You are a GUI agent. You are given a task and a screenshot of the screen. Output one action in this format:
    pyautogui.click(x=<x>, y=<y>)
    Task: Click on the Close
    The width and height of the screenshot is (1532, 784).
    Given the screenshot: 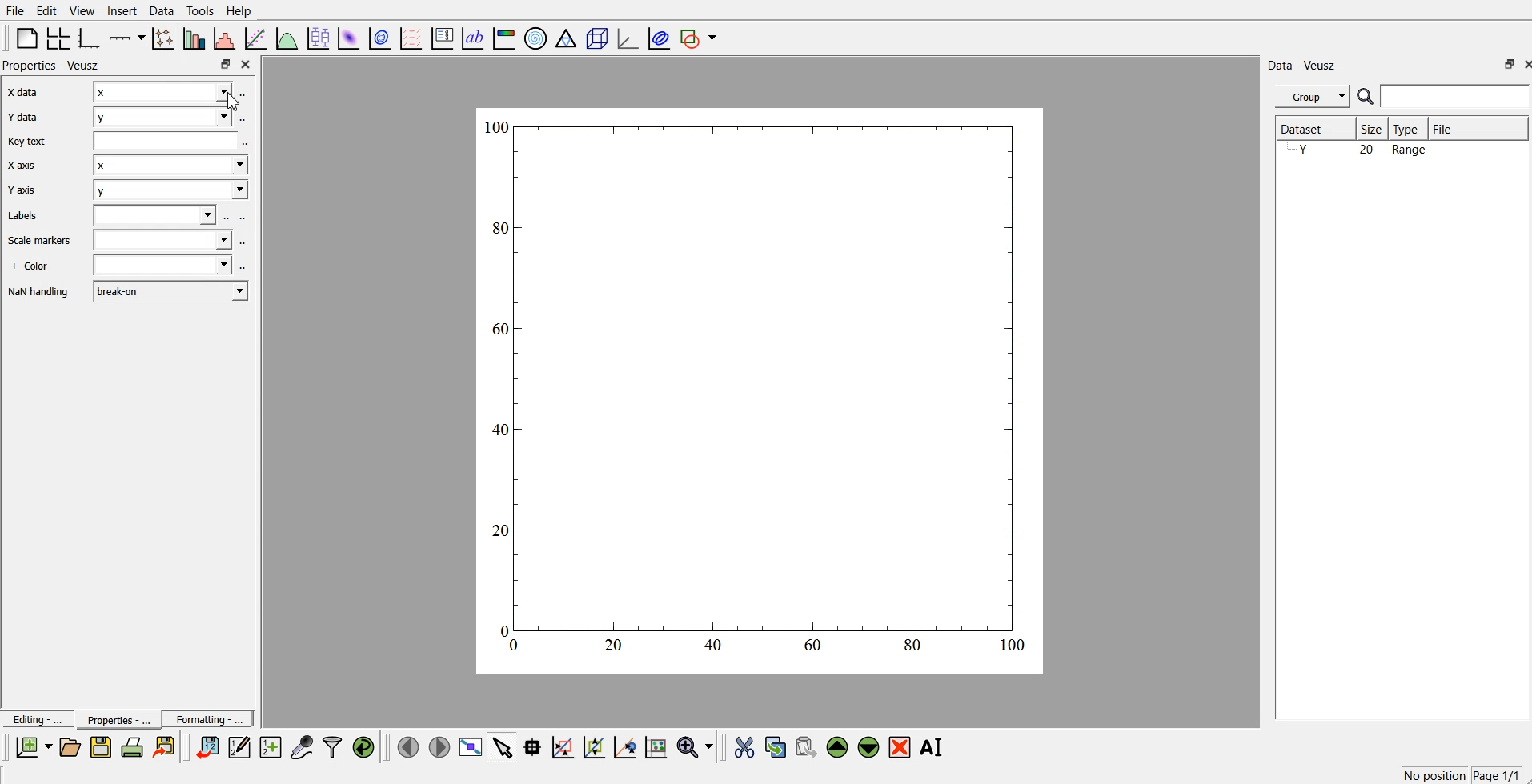 What is the action you would take?
    pyautogui.click(x=1522, y=63)
    